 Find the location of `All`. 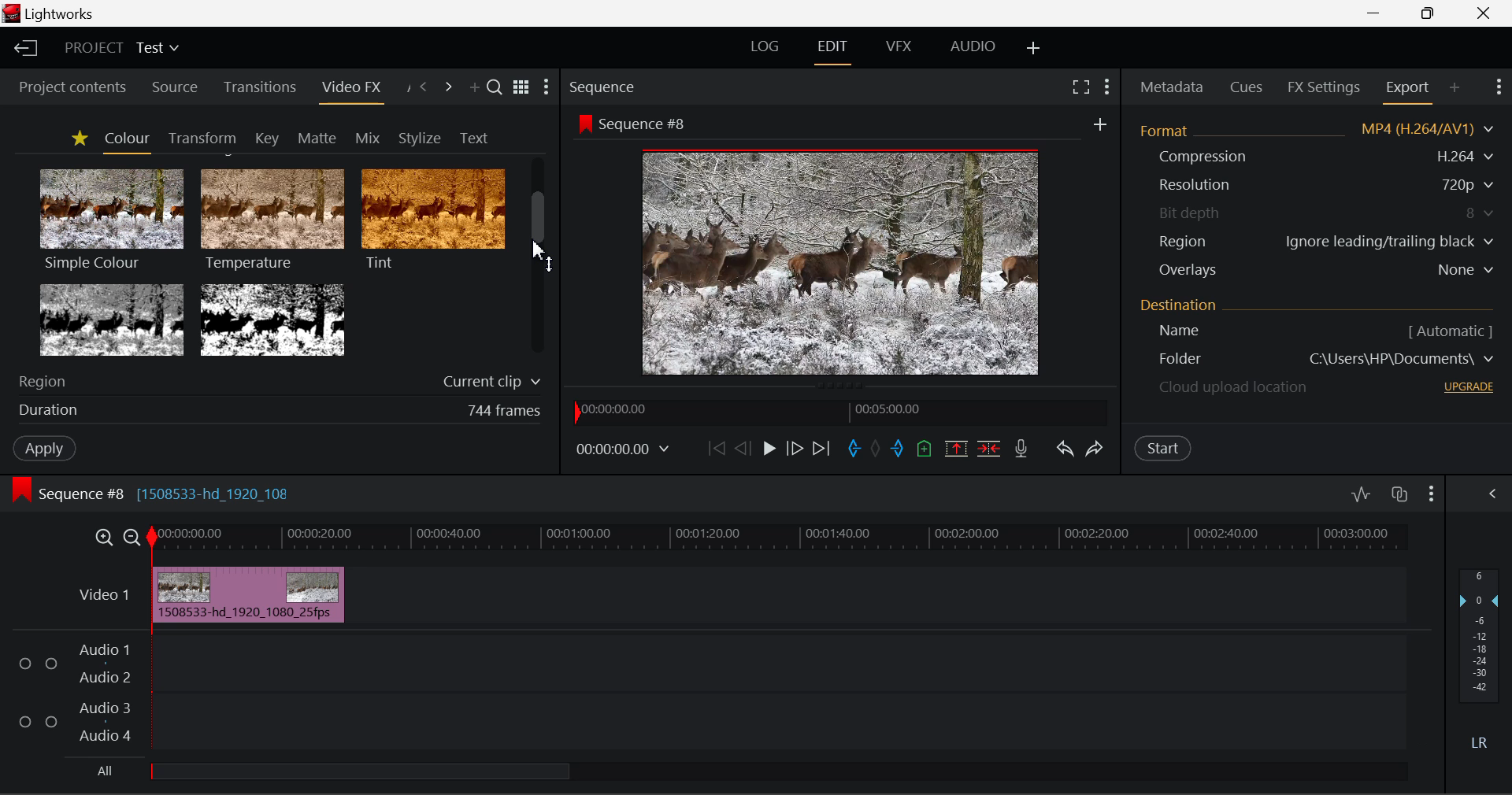

All is located at coordinates (106, 770).